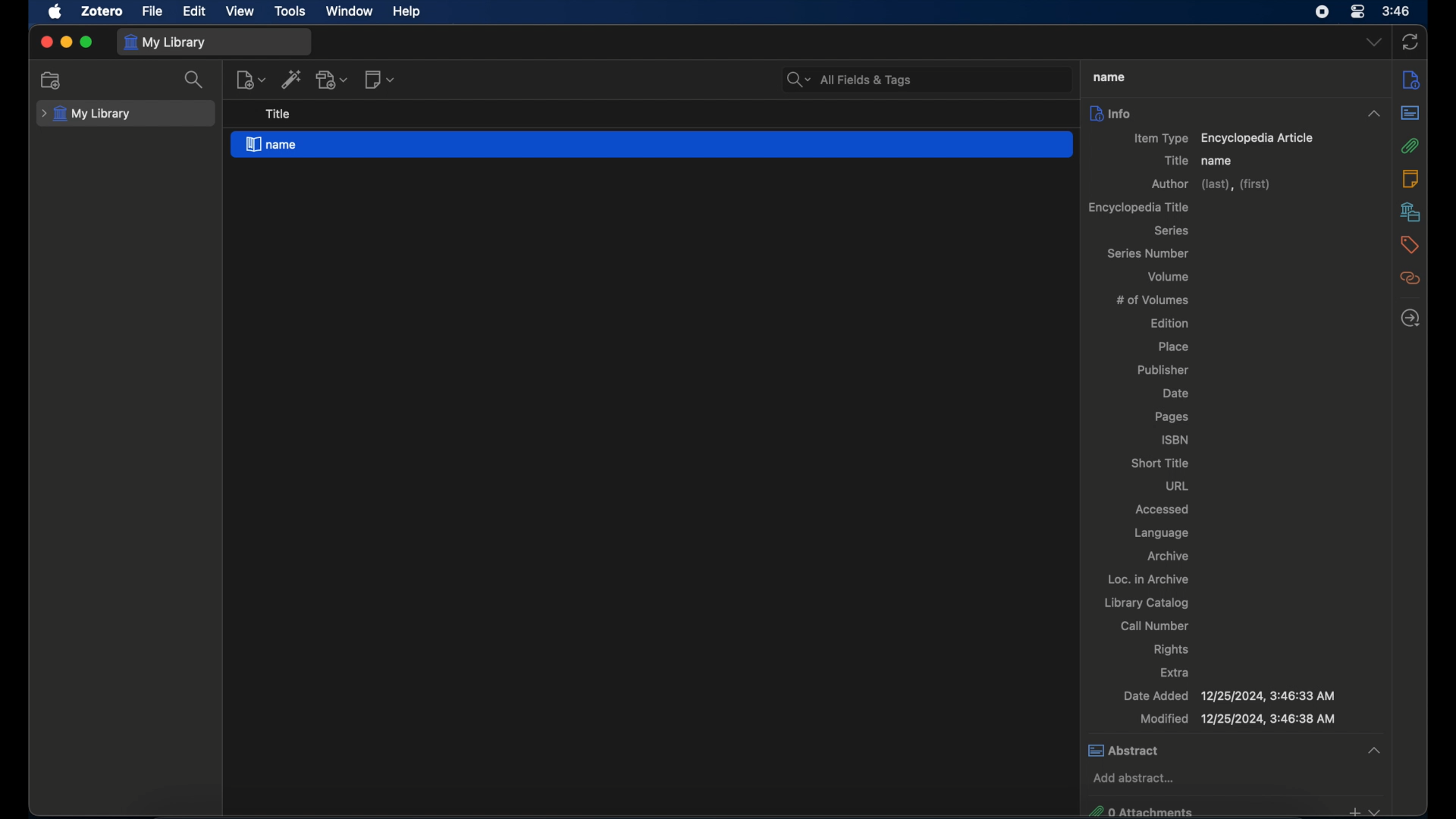 The height and width of the screenshot is (819, 1456). What do you see at coordinates (55, 11) in the screenshot?
I see `apple` at bounding box center [55, 11].